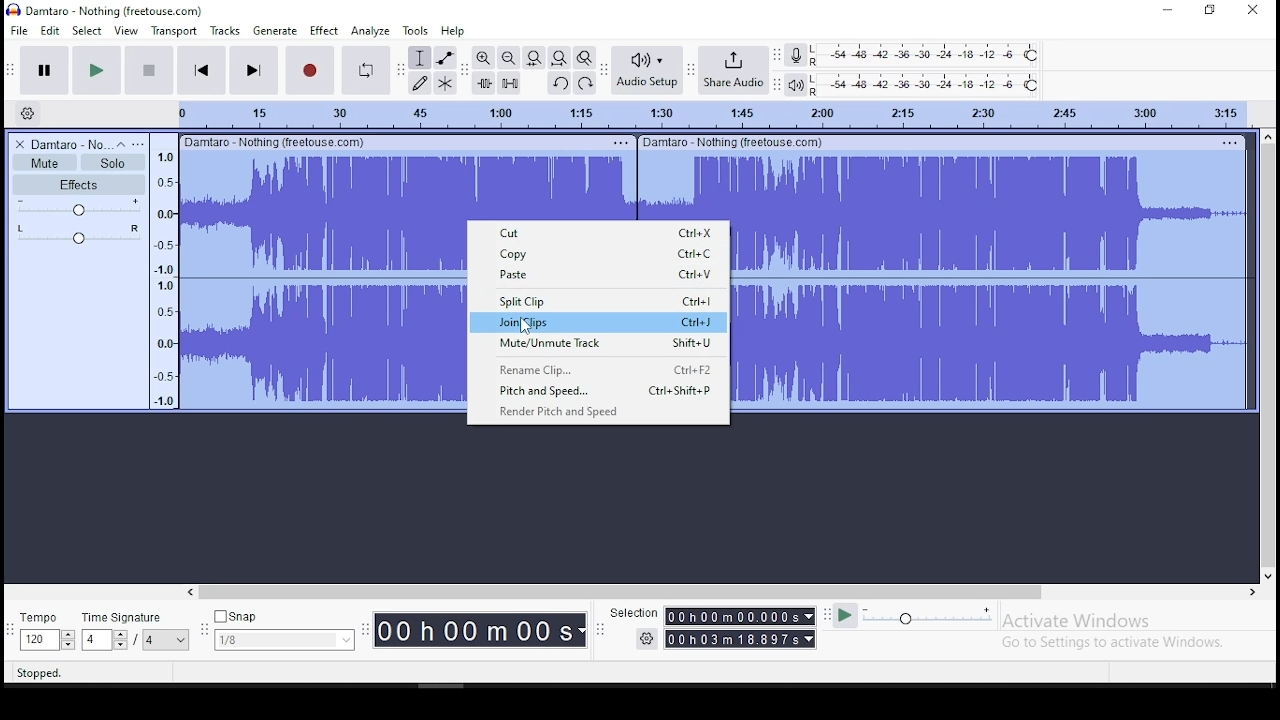  What do you see at coordinates (575, 412) in the screenshot?
I see `render pitch and speed` at bounding box center [575, 412].